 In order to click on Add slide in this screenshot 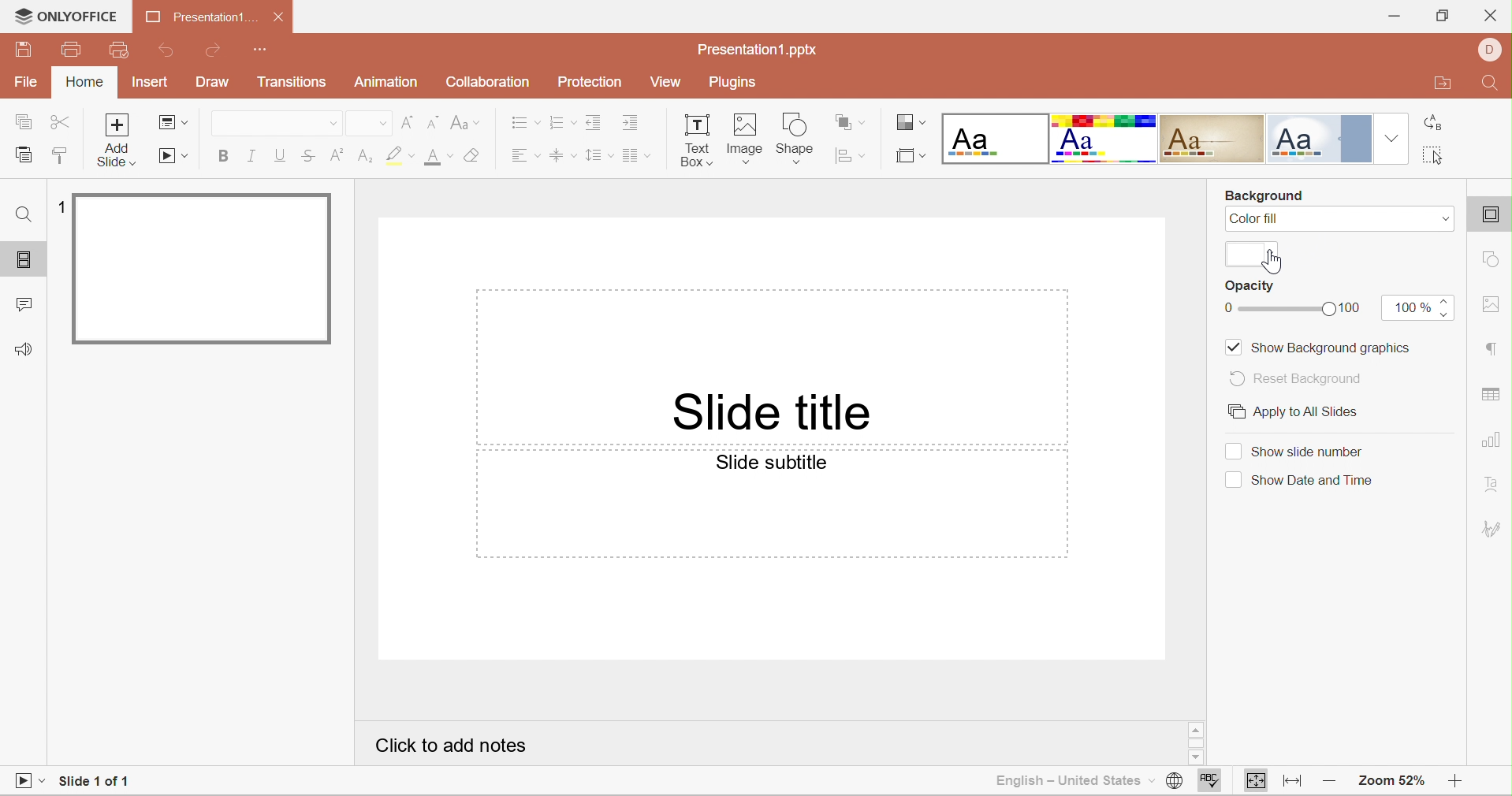, I will do `click(117, 125)`.